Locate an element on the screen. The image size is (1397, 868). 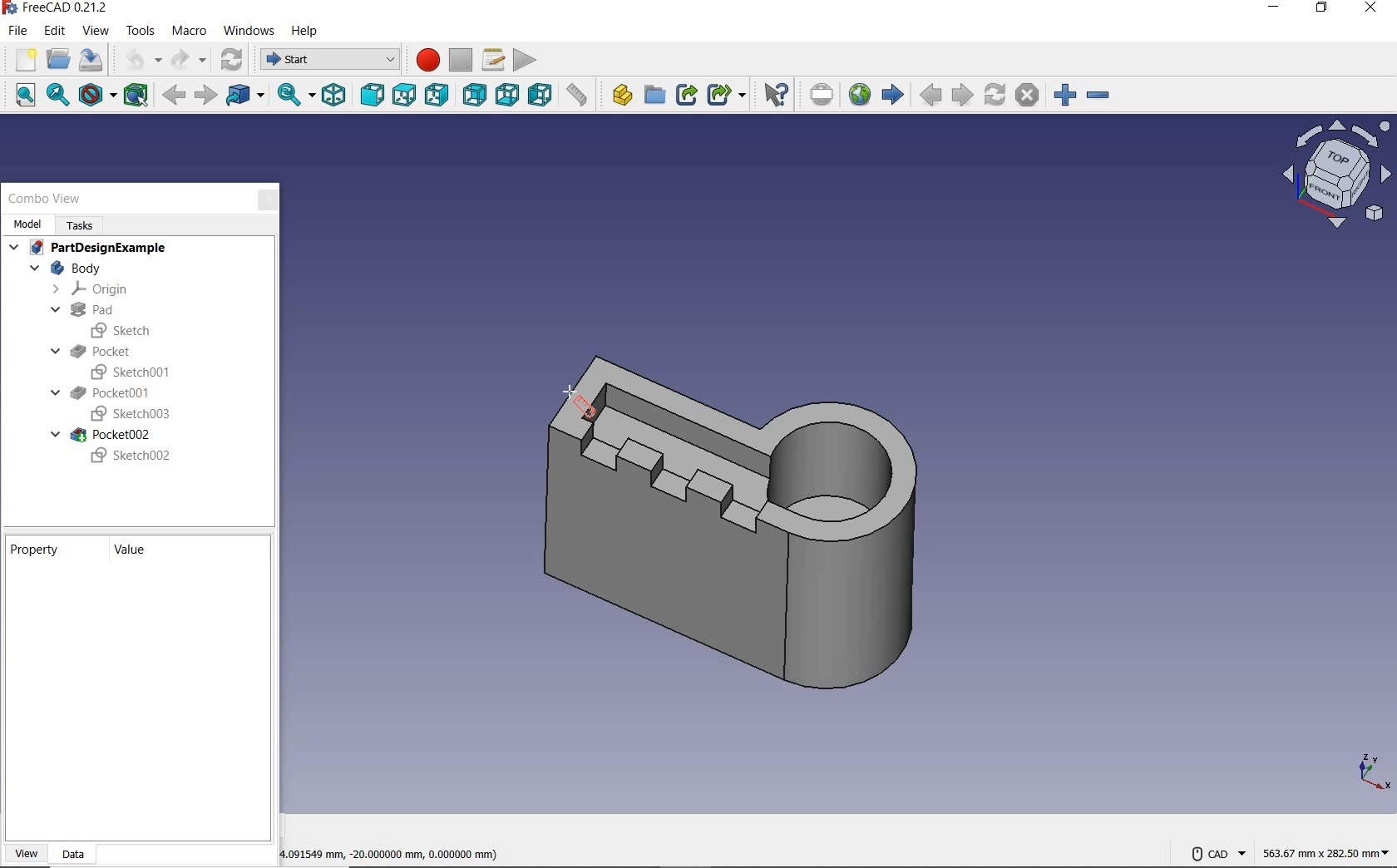
windows is located at coordinates (250, 32).